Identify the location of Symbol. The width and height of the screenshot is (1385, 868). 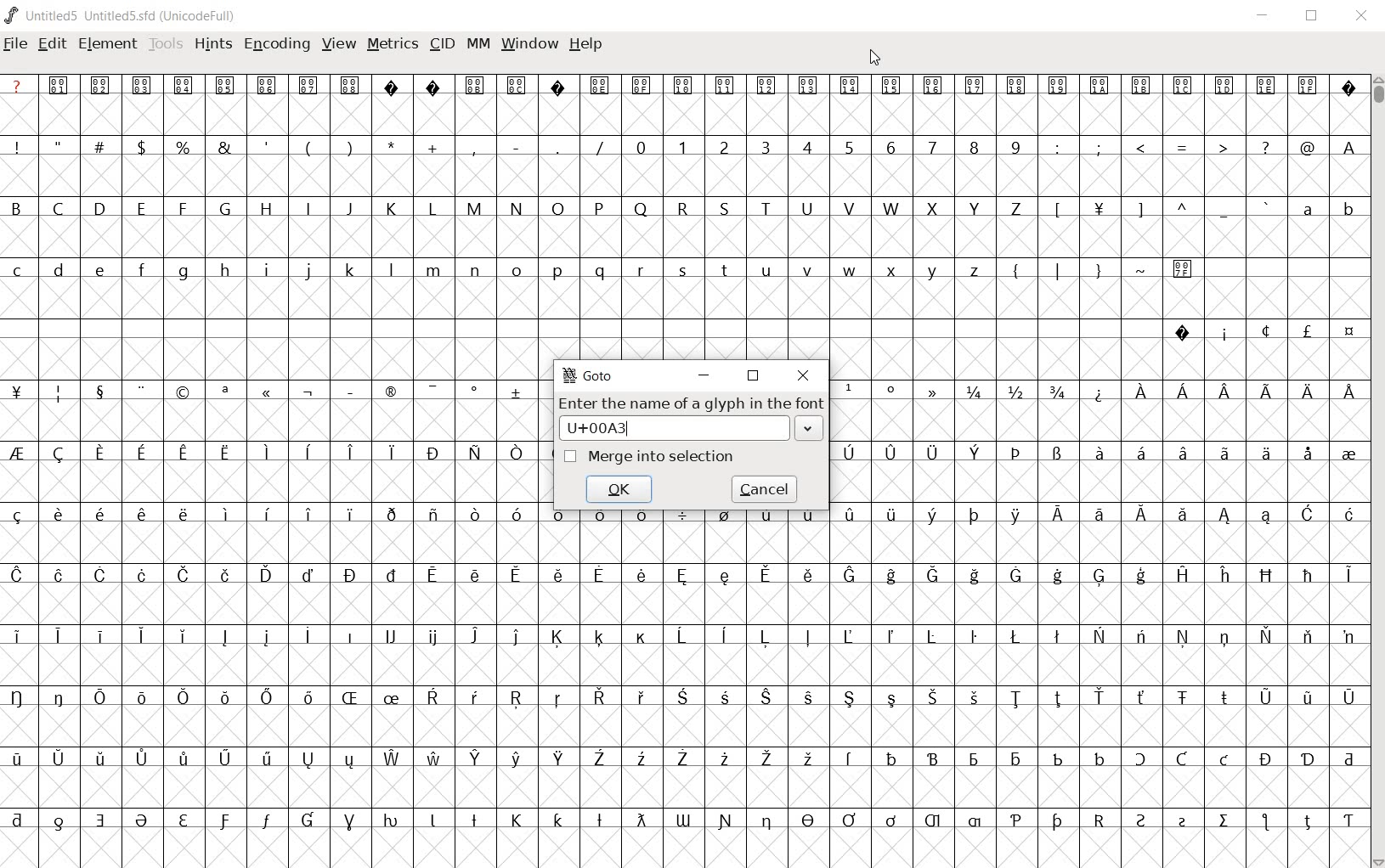
(1308, 392).